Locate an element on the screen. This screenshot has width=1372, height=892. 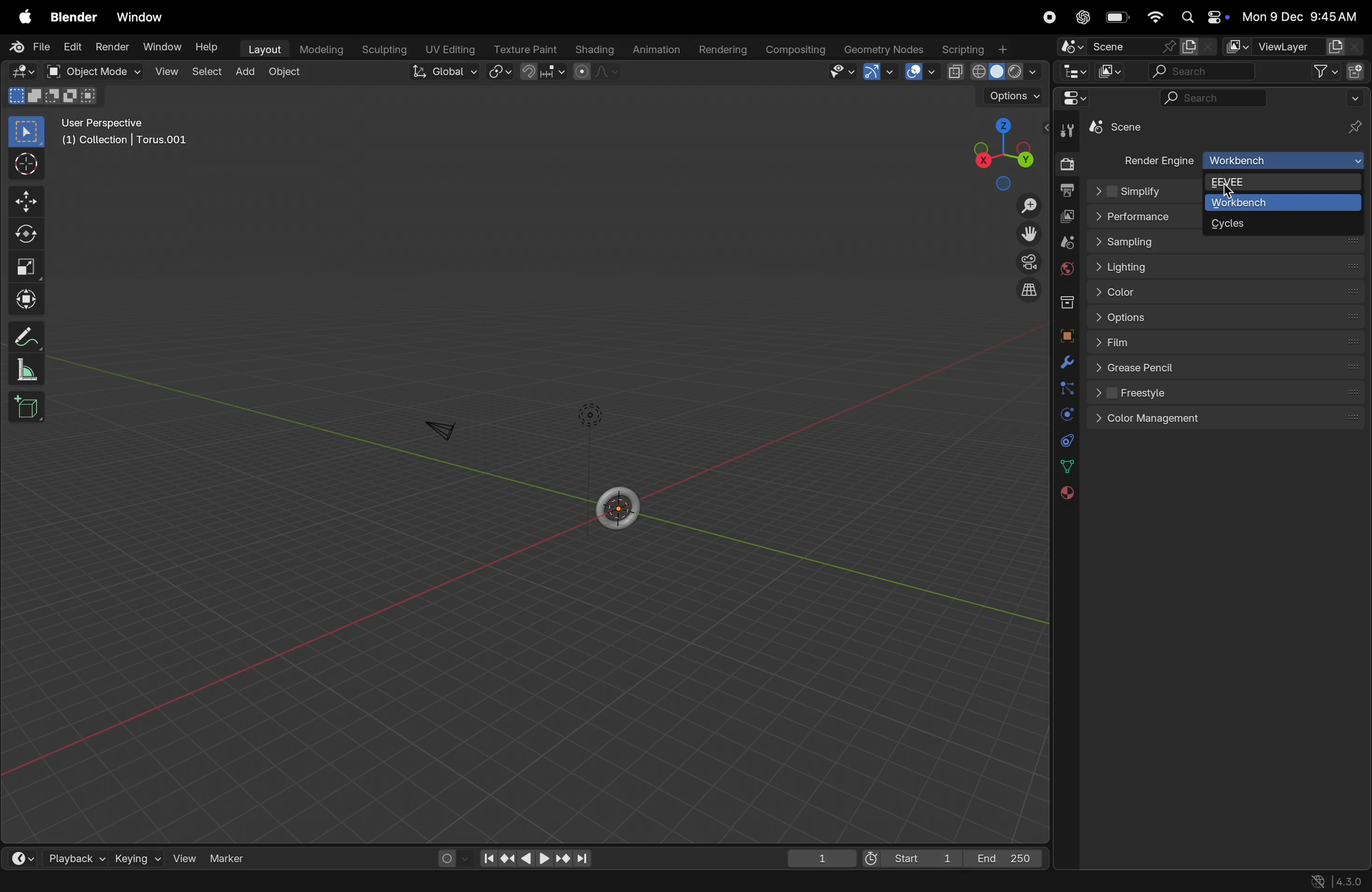
search is located at coordinates (1210, 98).